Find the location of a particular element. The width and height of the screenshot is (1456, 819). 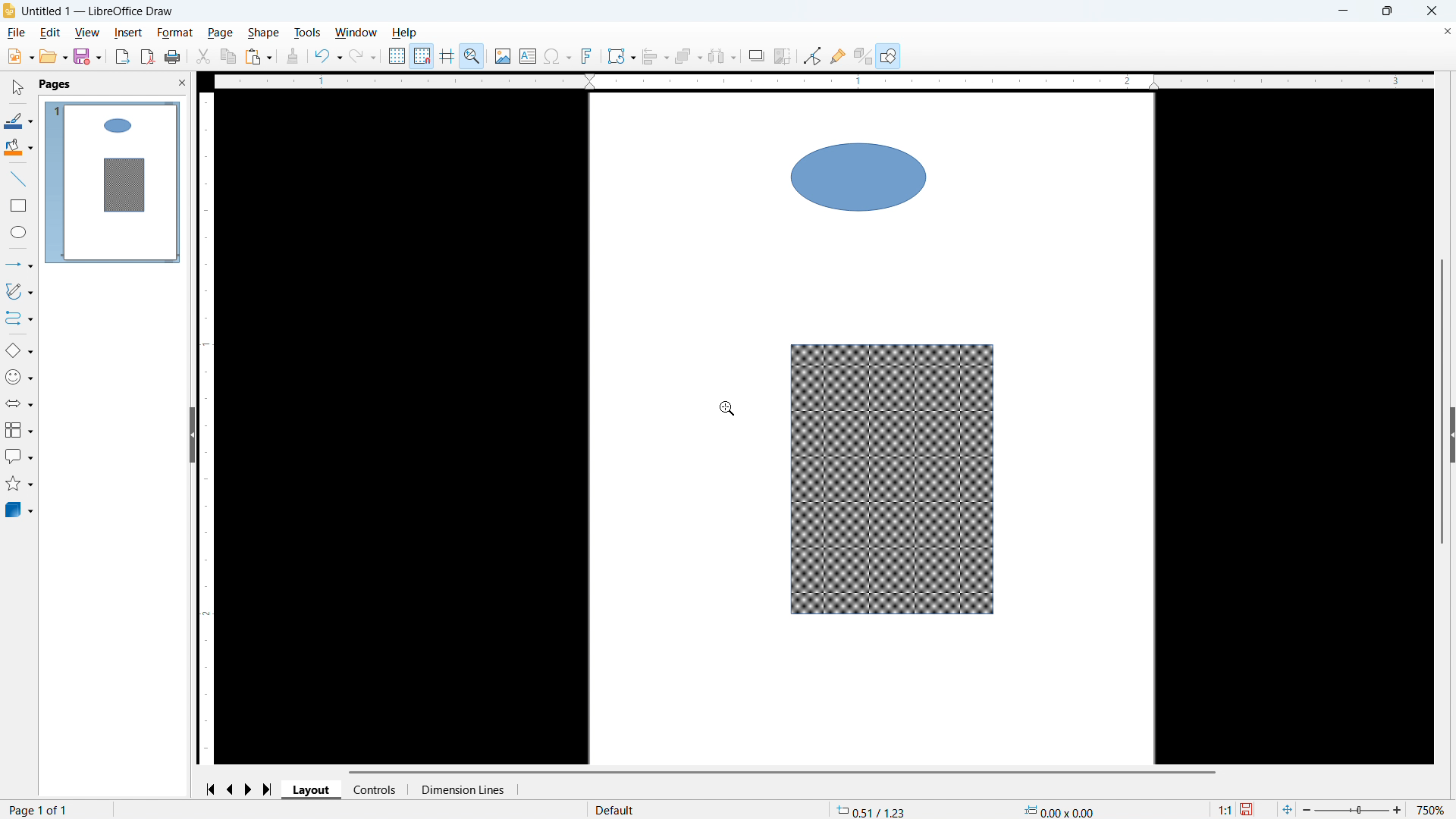

Line colour  is located at coordinates (19, 121).